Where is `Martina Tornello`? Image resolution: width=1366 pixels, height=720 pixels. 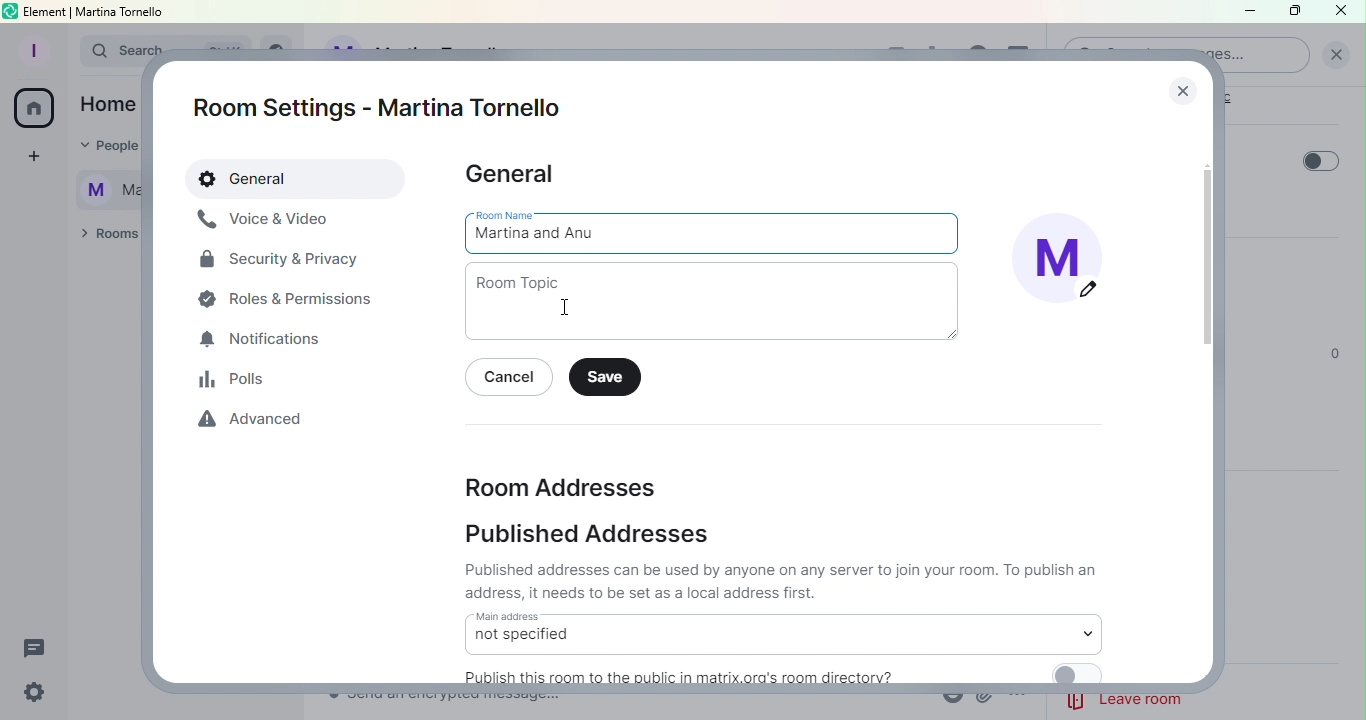 Martina Tornello is located at coordinates (101, 187).